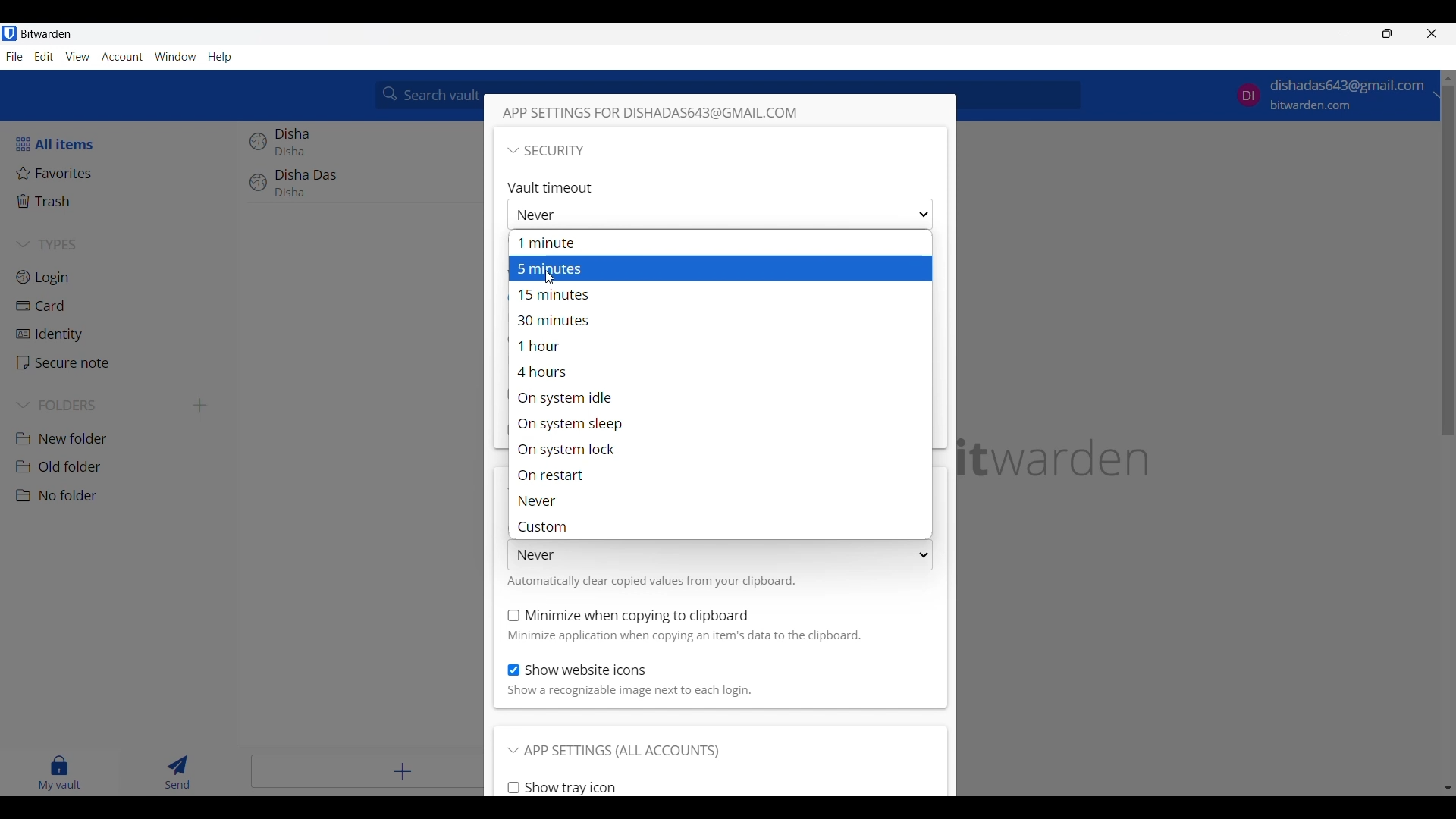  What do you see at coordinates (717, 268) in the screenshot?
I see `5 minutes` at bounding box center [717, 268].